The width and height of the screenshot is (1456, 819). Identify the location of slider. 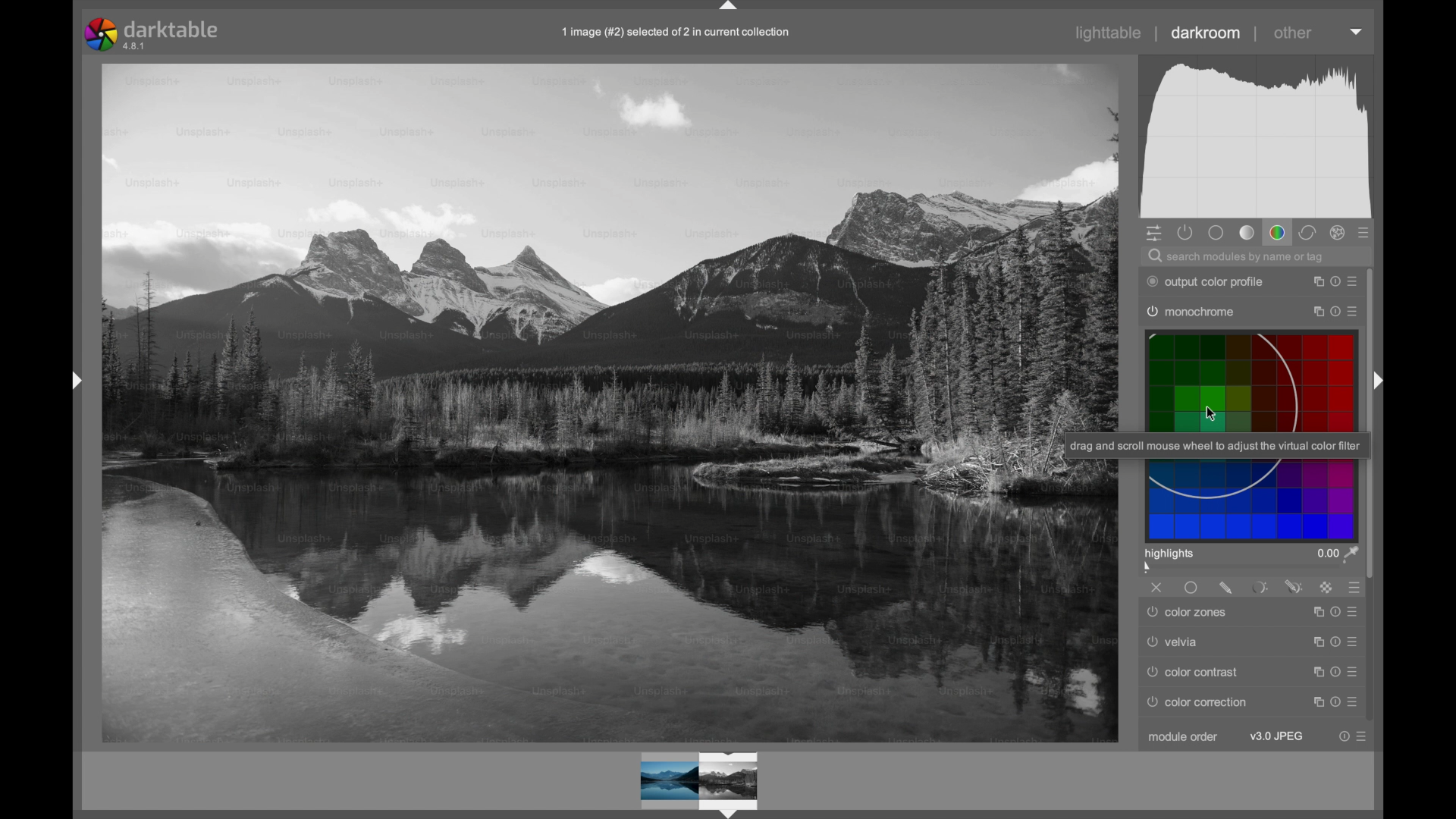
(1250, 567).